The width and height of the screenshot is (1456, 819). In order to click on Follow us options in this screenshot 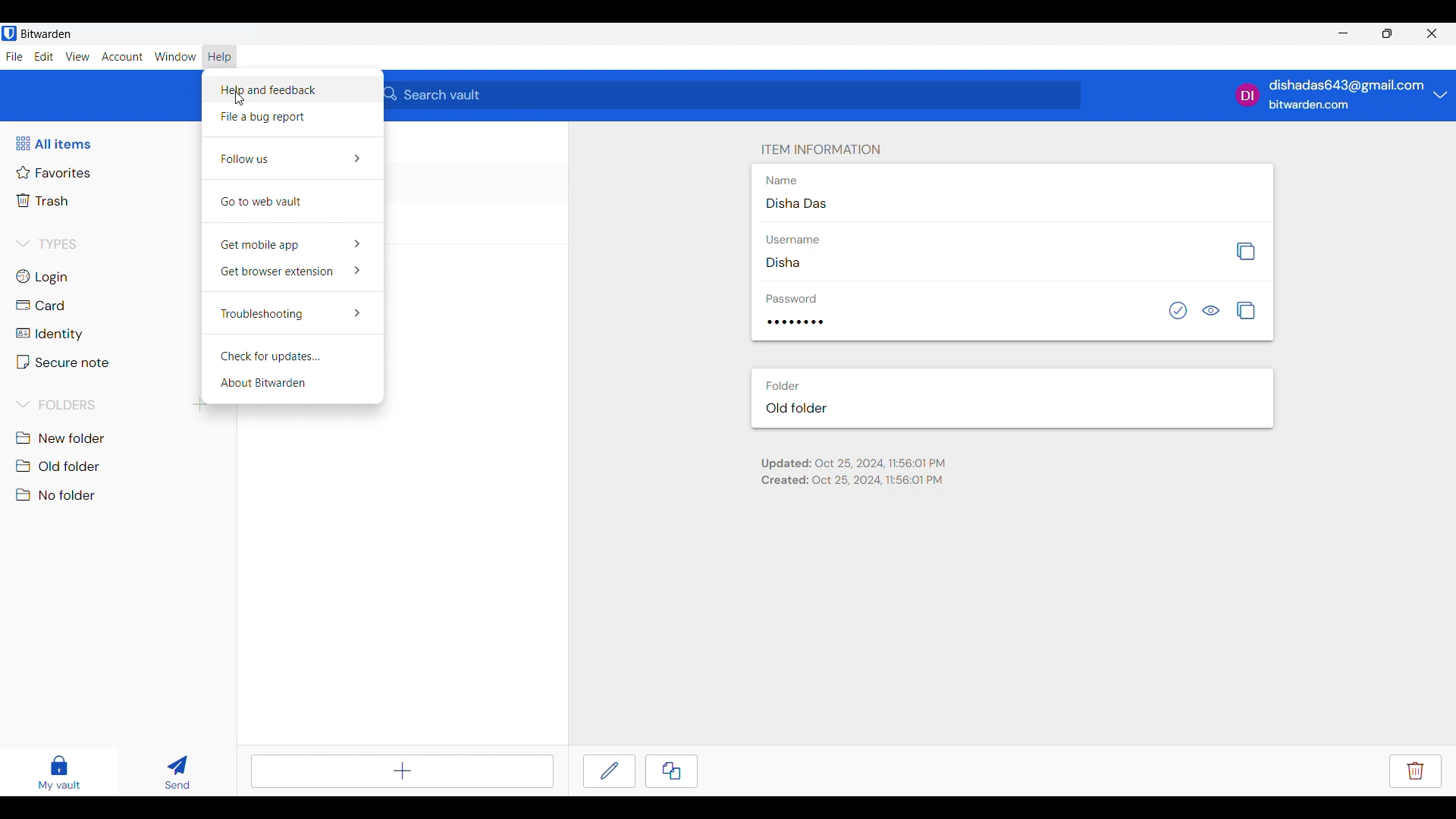, I will do `click(293, 158)`.